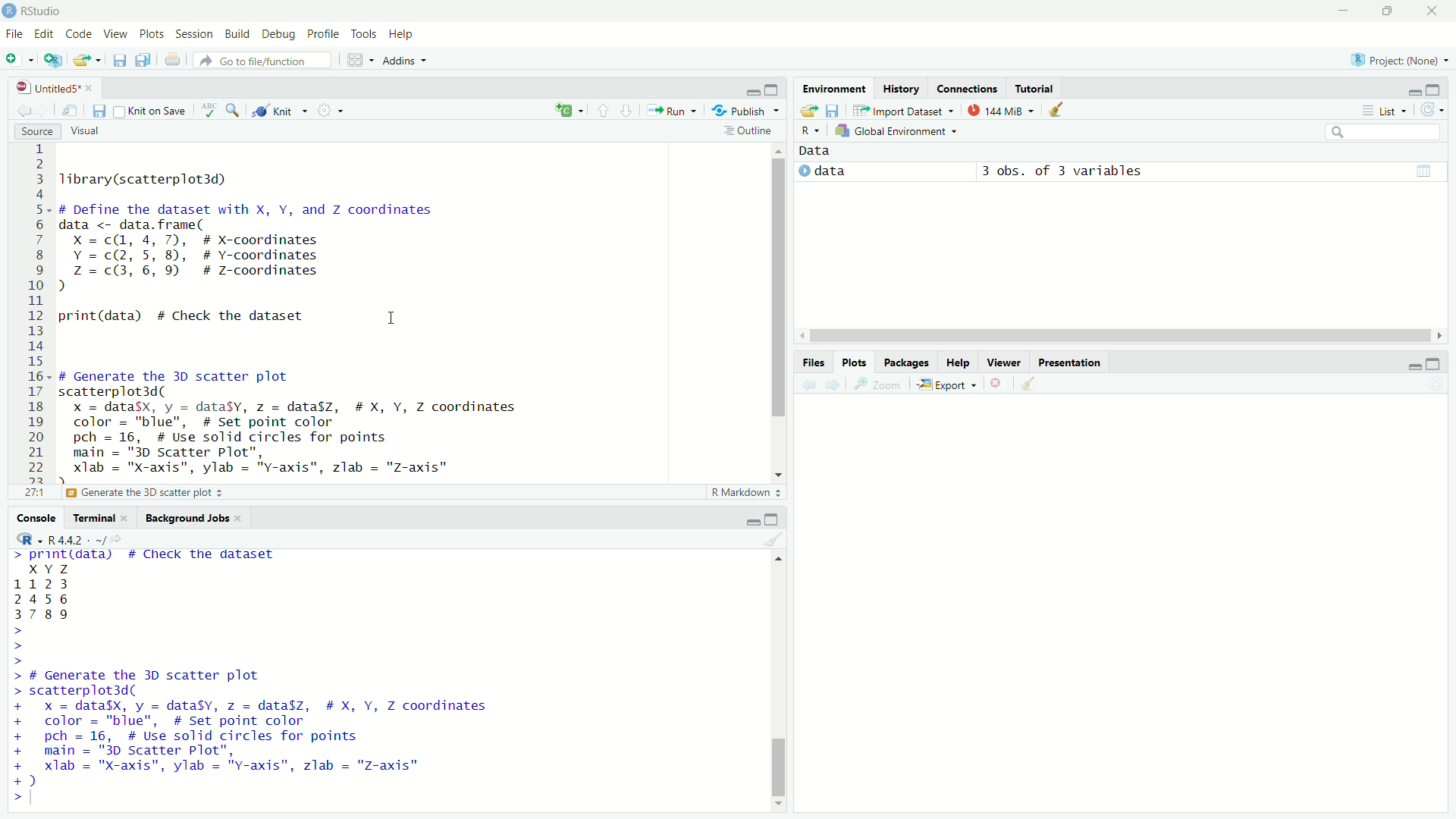 This screenshot has width=1456, height=819. I want to click on Help, so click(403, 33).